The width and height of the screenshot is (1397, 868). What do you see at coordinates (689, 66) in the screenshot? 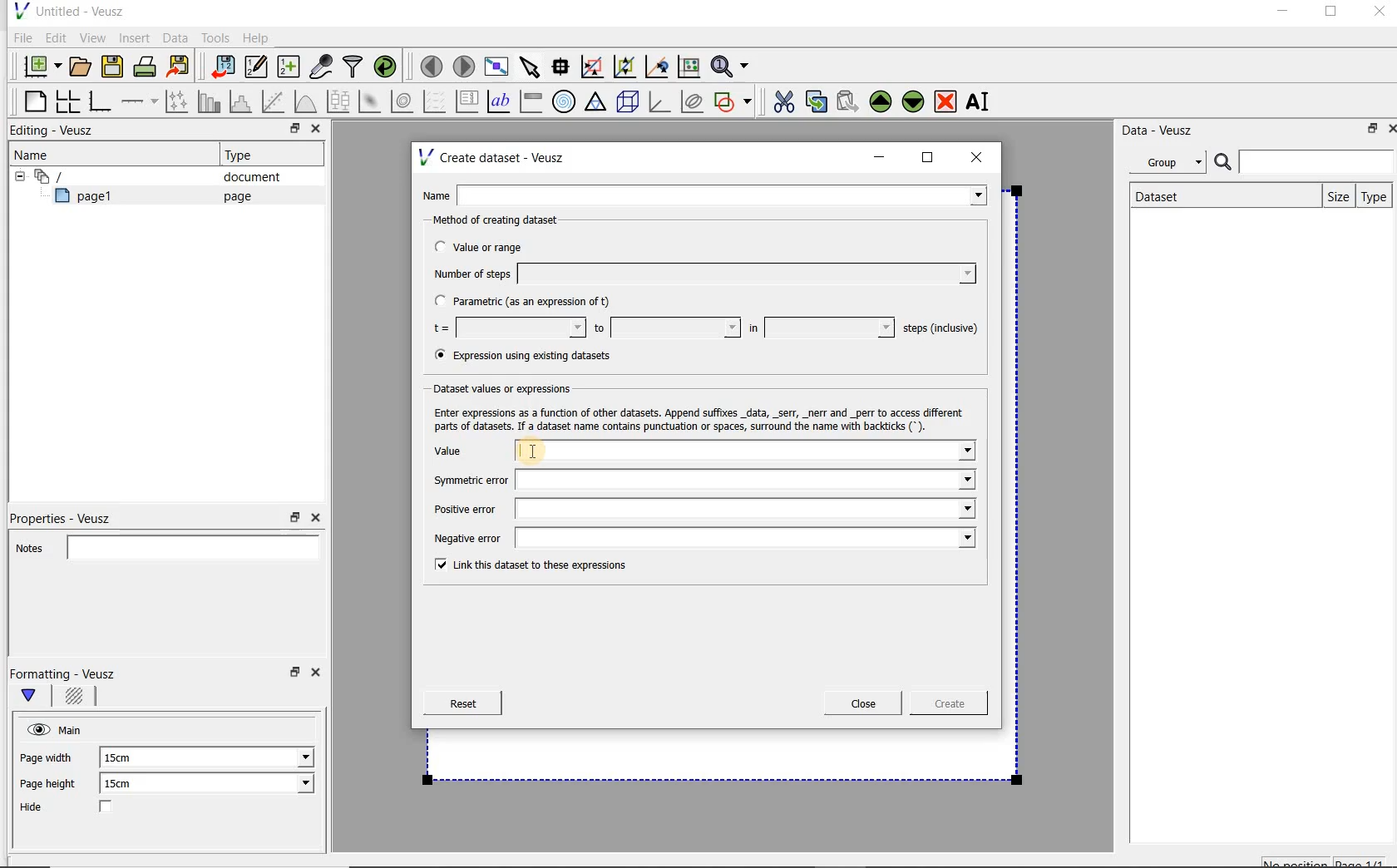
I see `click to reset graph axes` at bounding box center [689, 66].